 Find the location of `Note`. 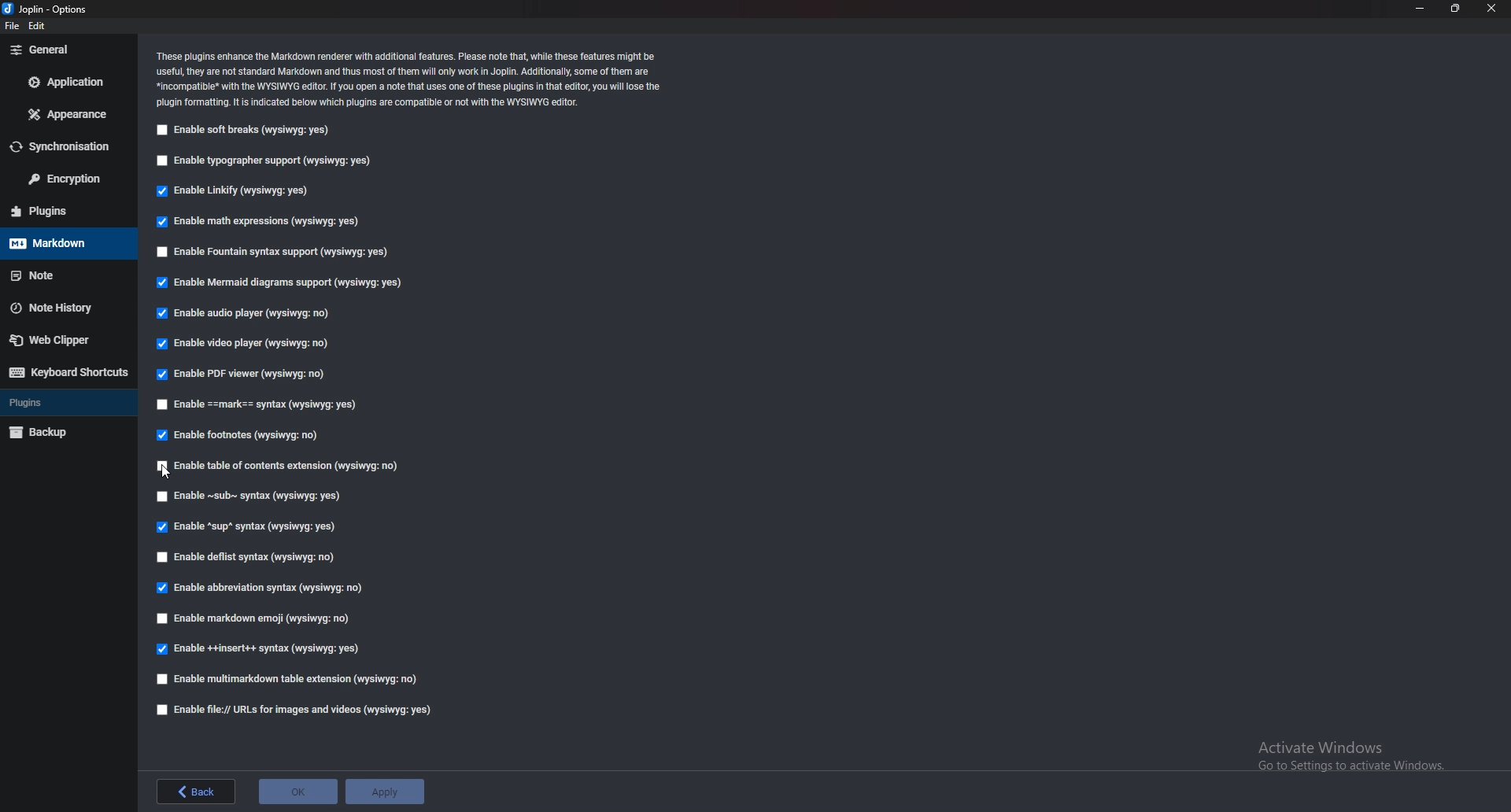

Note is located at coordinates (68, 275).